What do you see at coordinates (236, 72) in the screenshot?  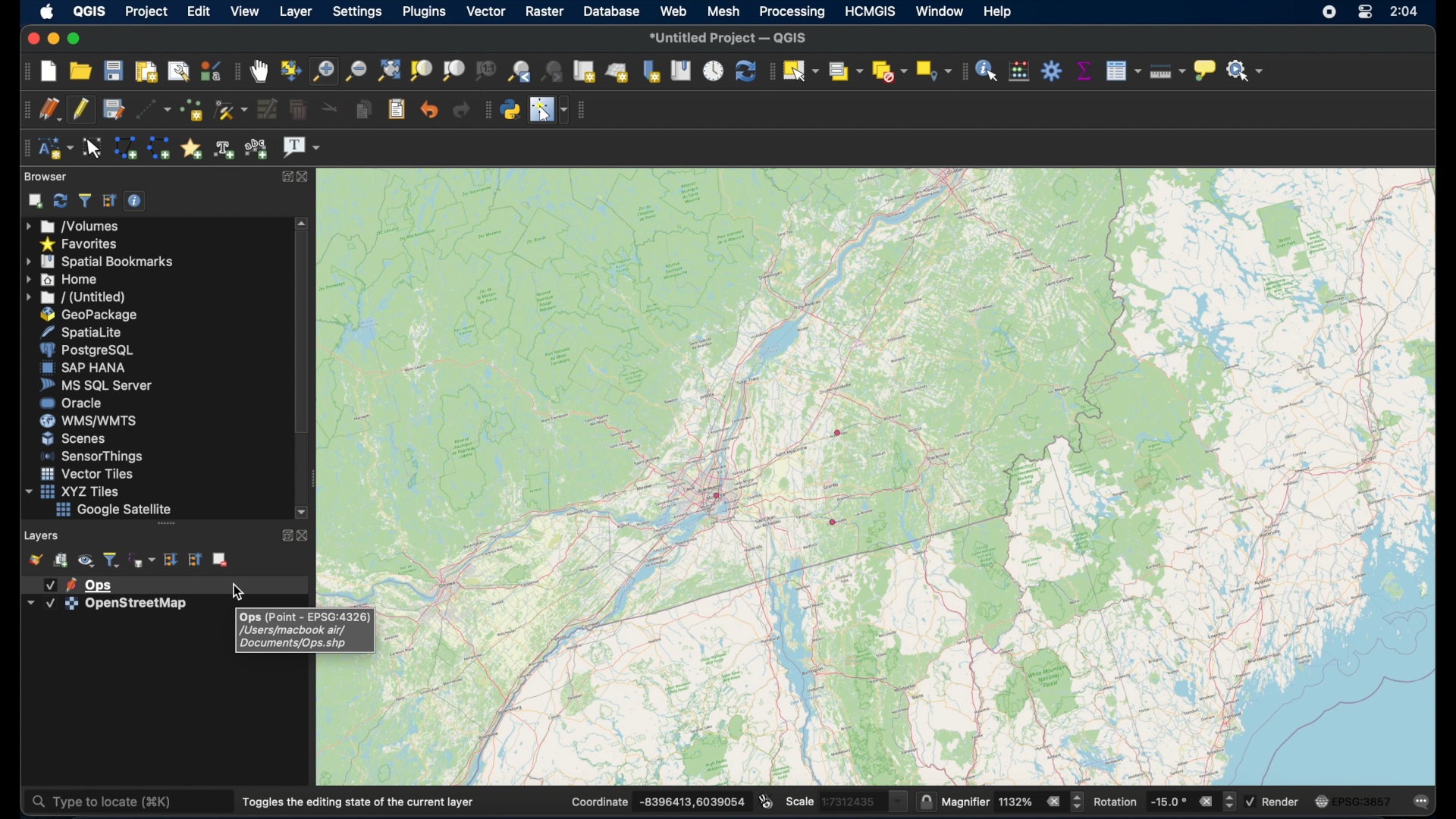 I see `map navigation toolbar` at bounding box center [236, 72].